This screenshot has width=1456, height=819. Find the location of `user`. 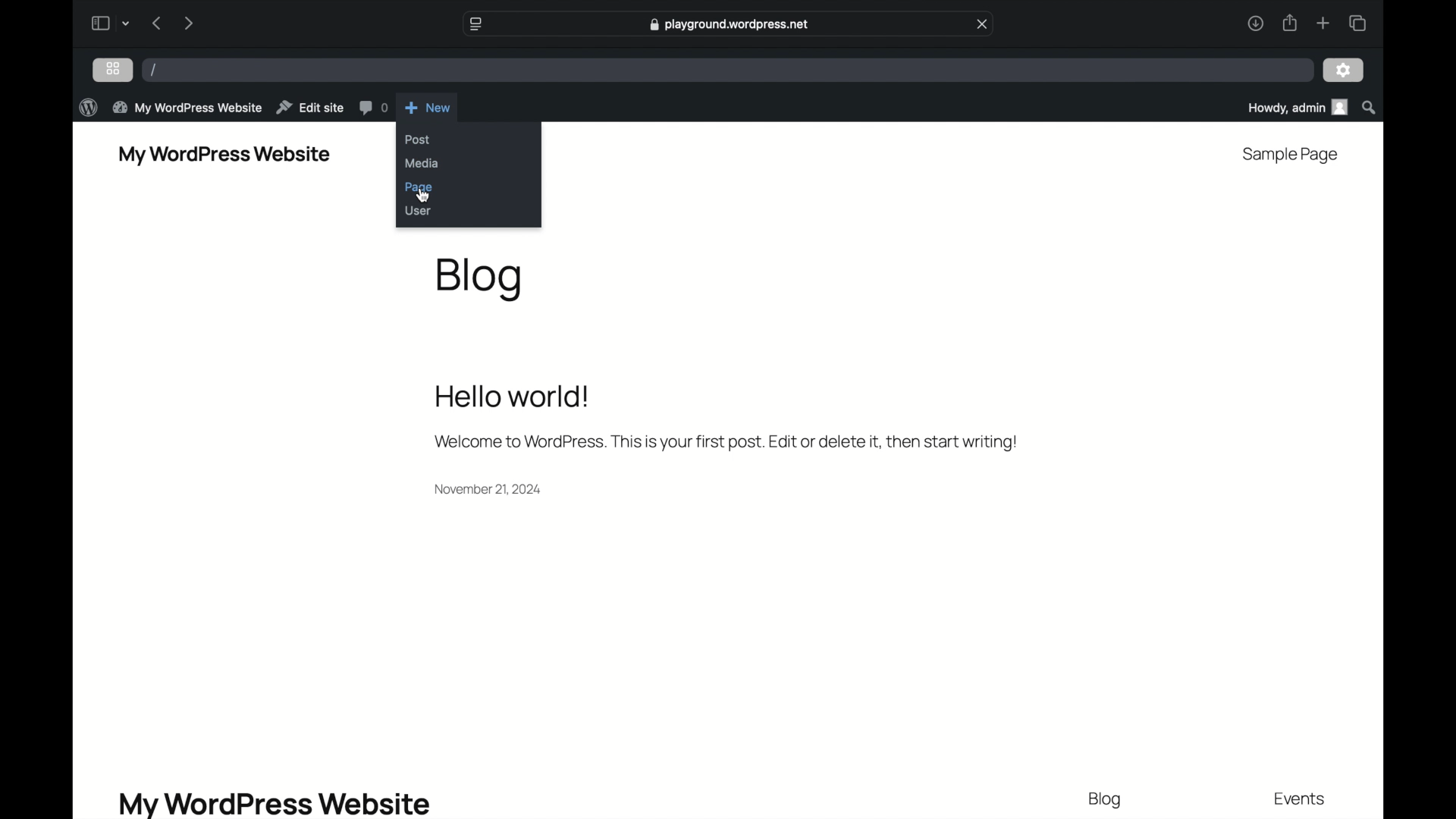

user is located at coordinates (418, 210).